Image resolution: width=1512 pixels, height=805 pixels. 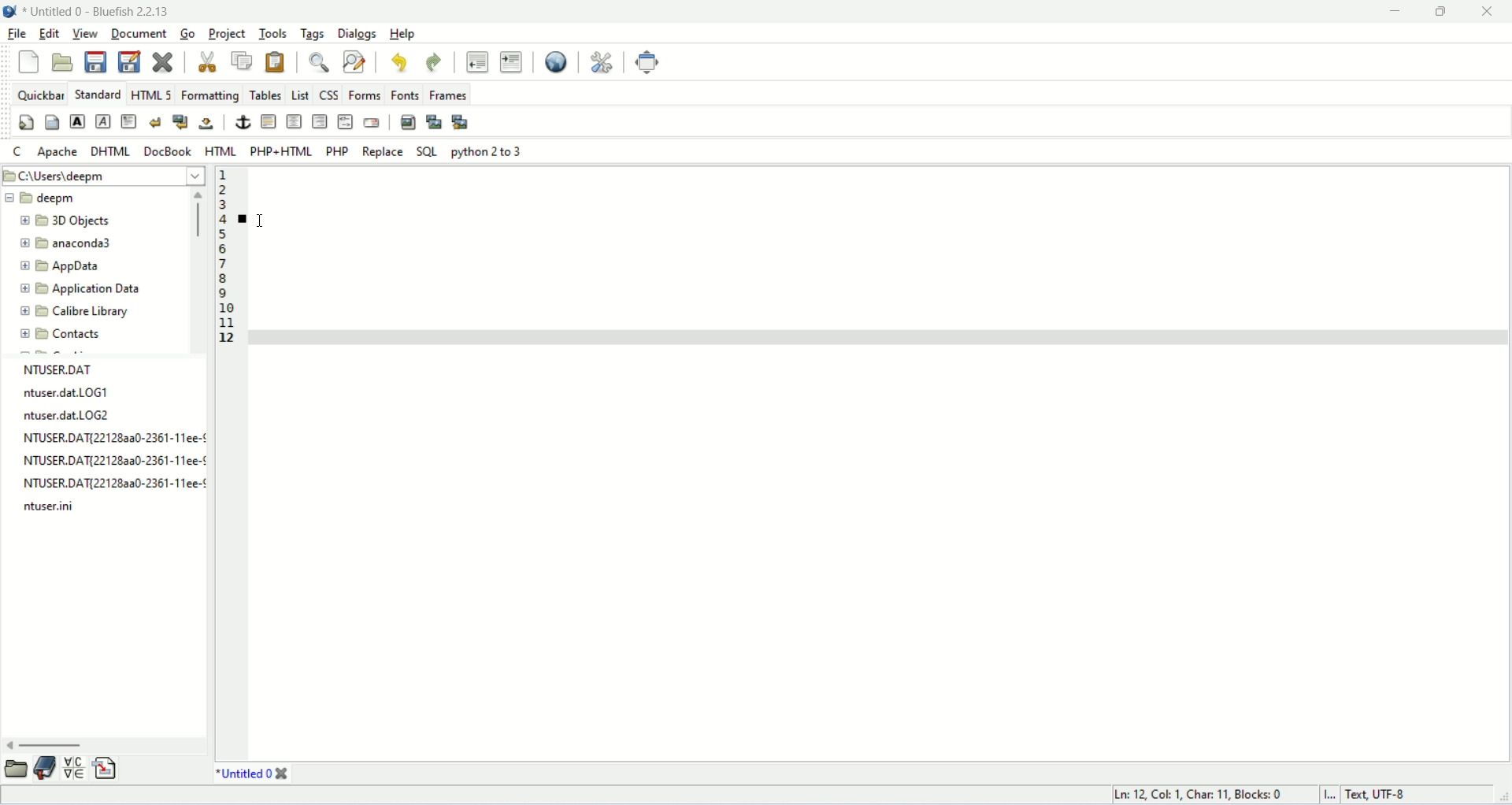 What do you see at coordinates (433, 123) in the screenshot?
I see `insert thumbnail` at bounding box center [433, 123].